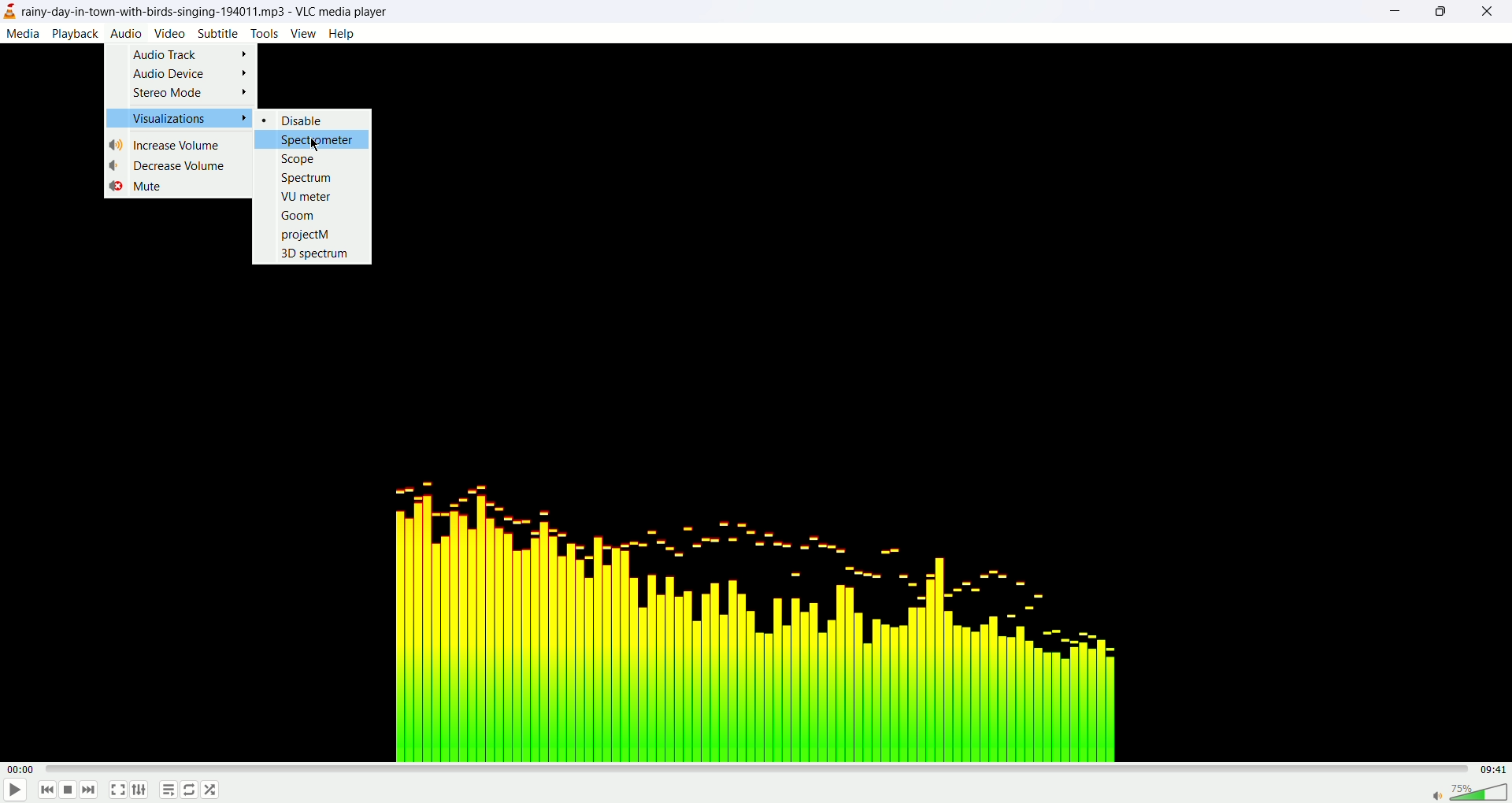 The width and height of the screenshot is (1512, 803). What do you see at coordinates (188, 72) in the screenshot?
I see `audio device` at bounding box center [188, 72].